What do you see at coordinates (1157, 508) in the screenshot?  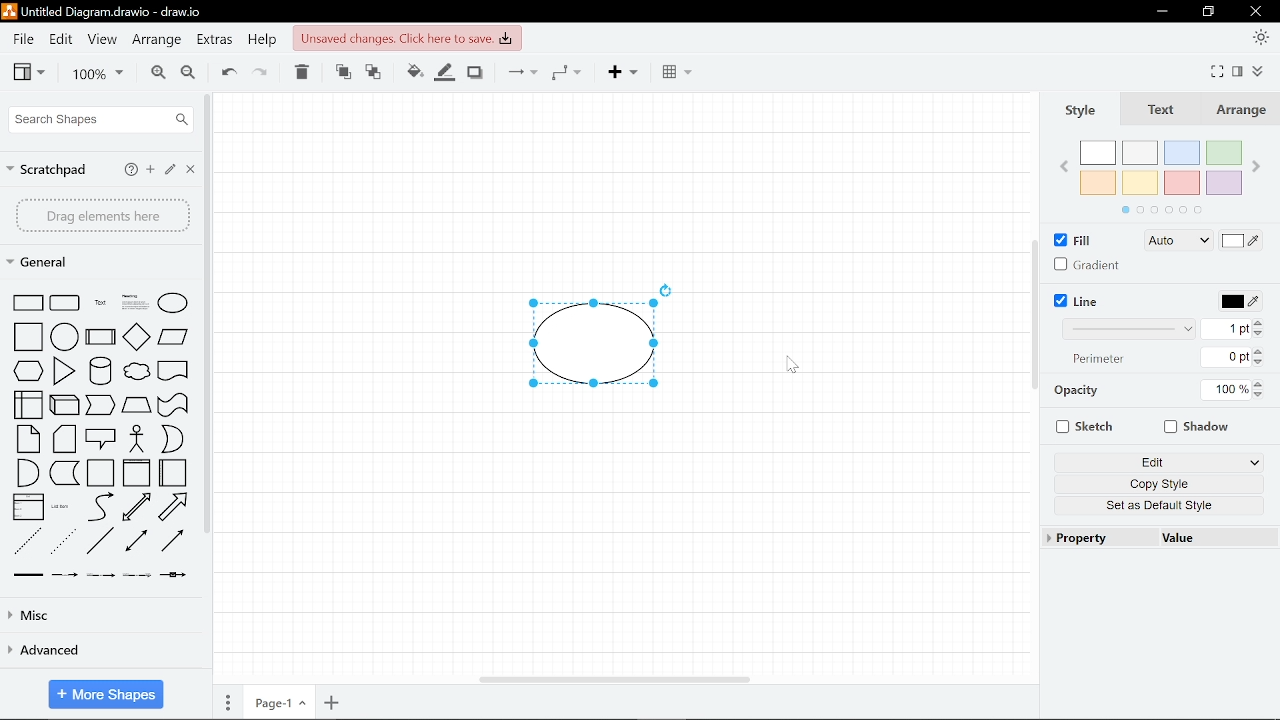 I see `Set as Default style` at bounding box center [1157, 508].